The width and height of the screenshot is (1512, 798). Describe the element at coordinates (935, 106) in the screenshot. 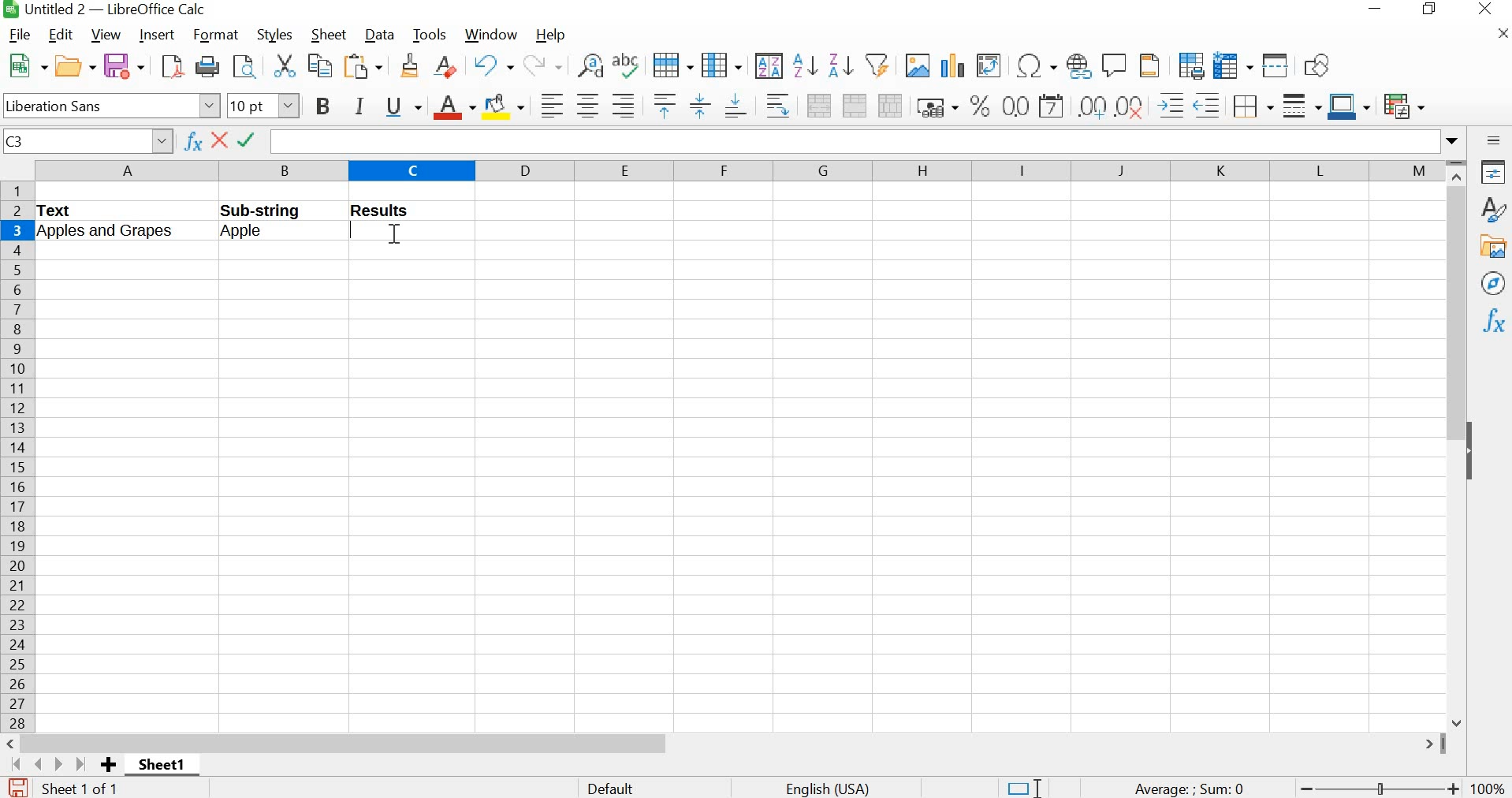

I see `format as currency` at that location.